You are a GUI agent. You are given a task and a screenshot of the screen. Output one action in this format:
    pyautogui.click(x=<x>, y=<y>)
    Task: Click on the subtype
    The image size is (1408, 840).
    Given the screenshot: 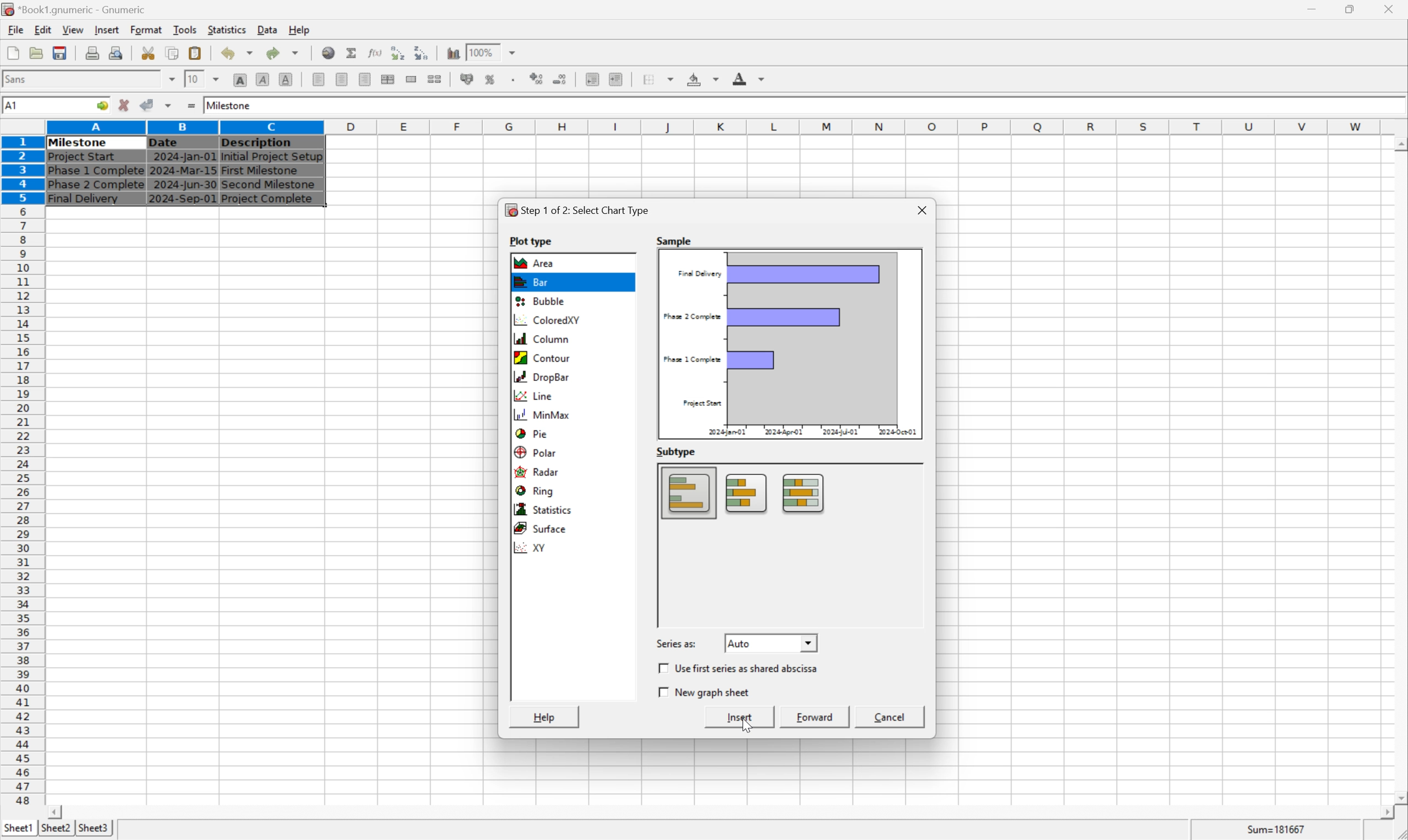 What is the action you would take?
    pyautogui.click(x=677, y=452)
    